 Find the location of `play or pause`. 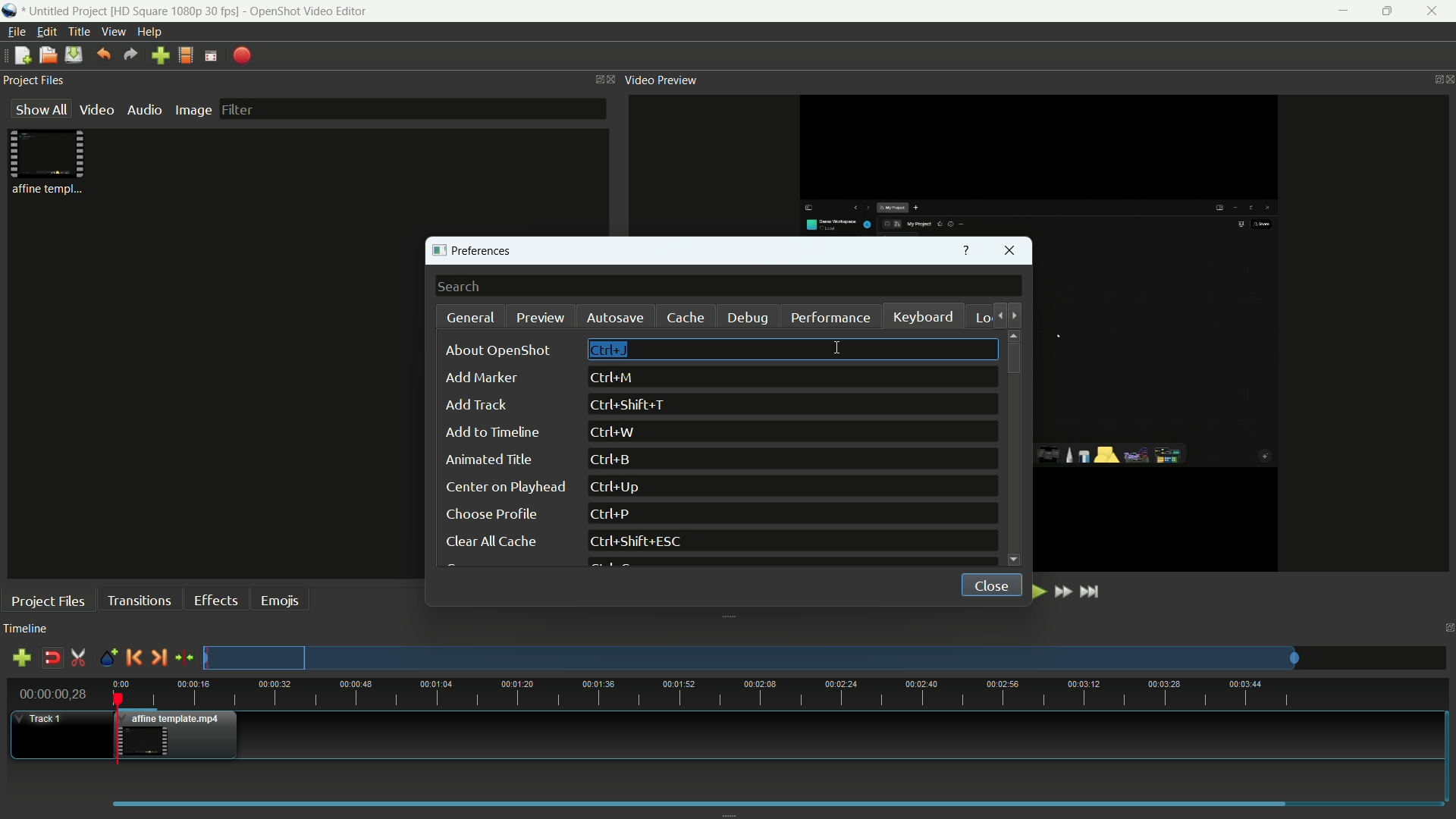

play or pause is located at coordinates (1037, 591).